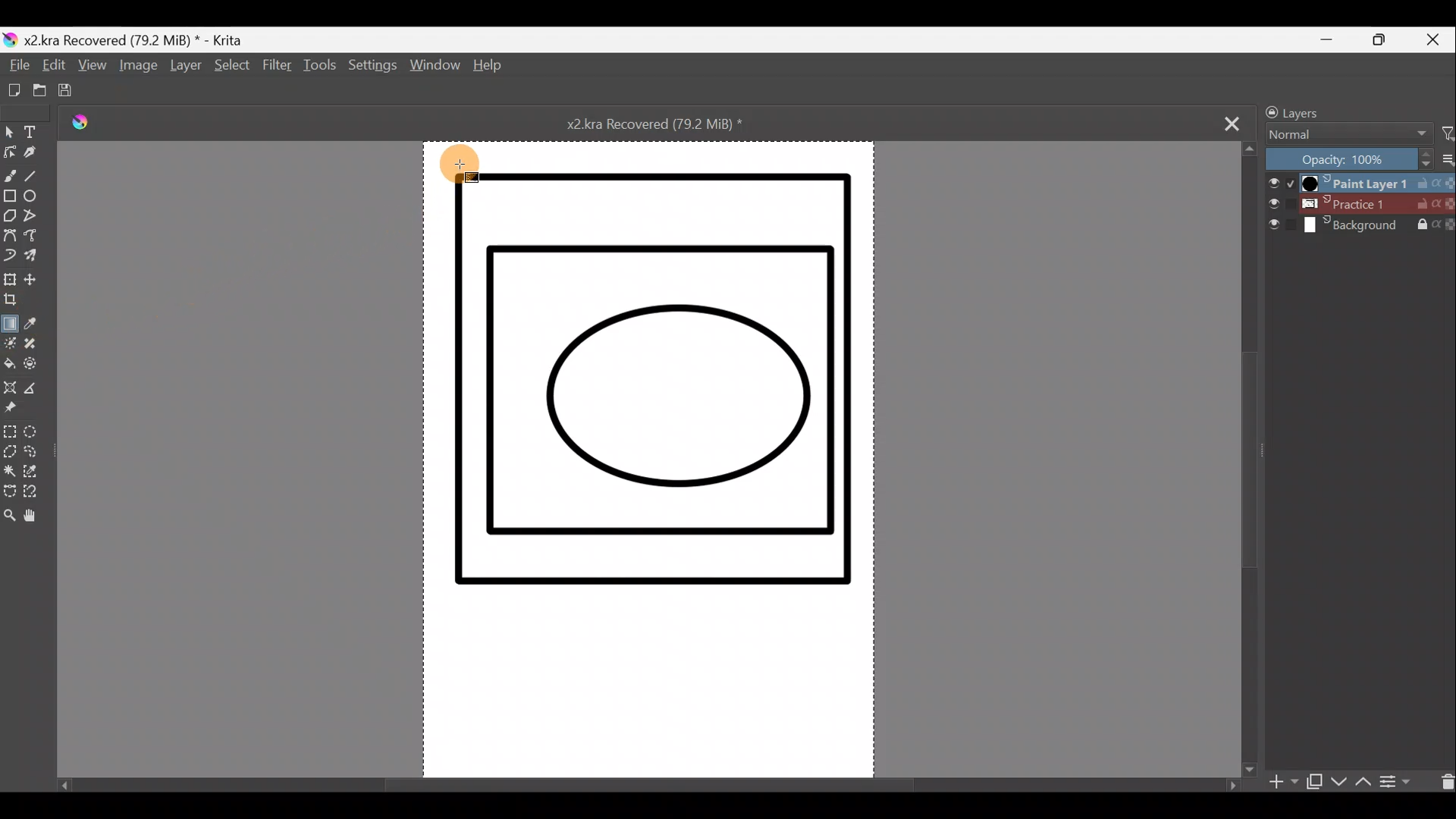 This screenshot has width=1456, height=819. What do you see at coordinates (34, 475) in the screenshot?
I see `Similar colour selection tool` at bounding box center [34, 475].